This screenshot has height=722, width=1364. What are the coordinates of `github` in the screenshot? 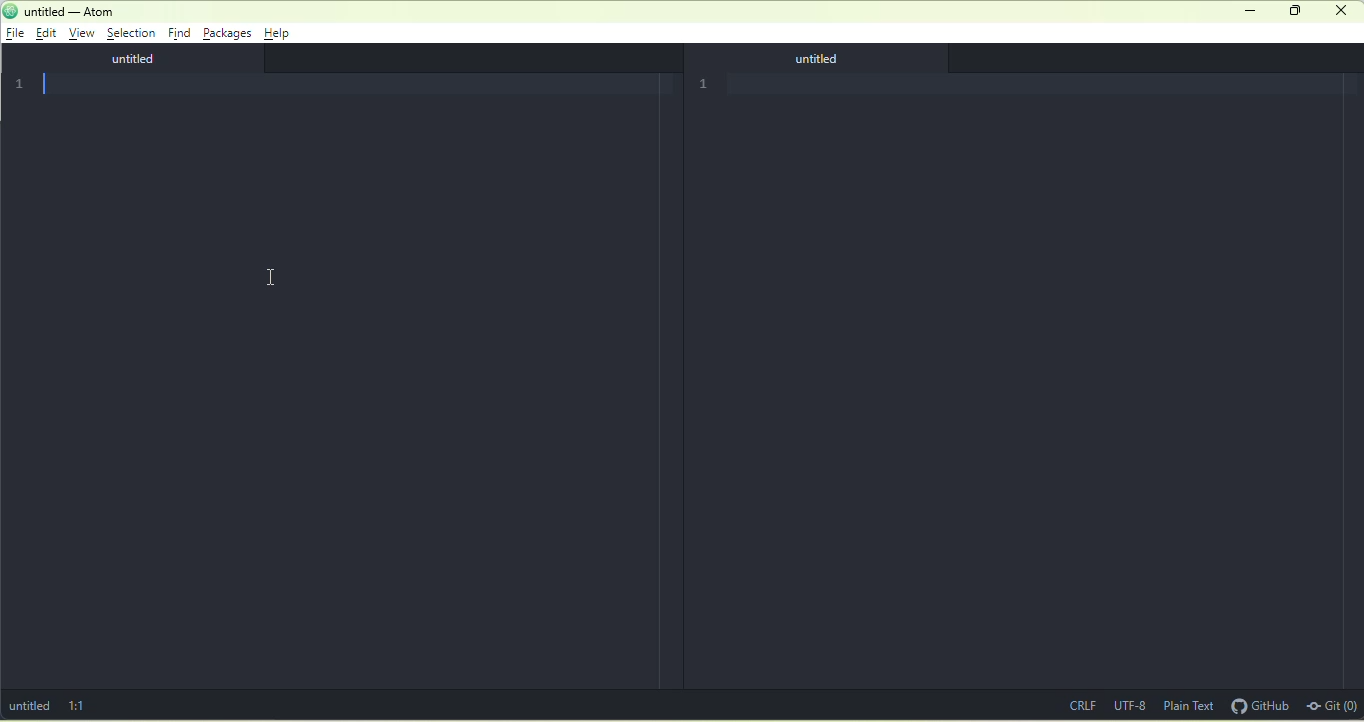 It's located at (1259, 705).